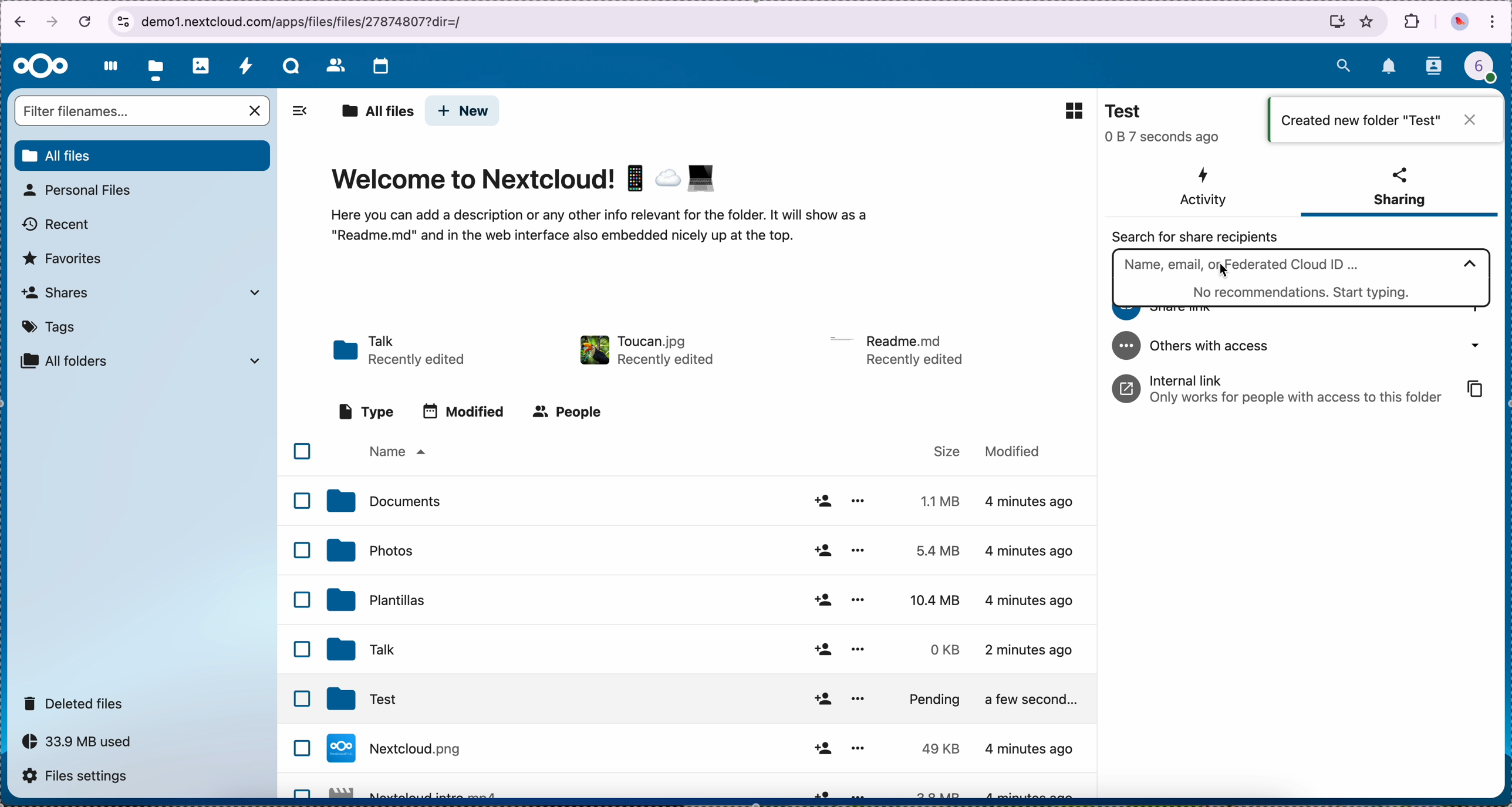  What do you see at coordinates (87, 21) in the screenshot?
I see `cancel` at bounding box center [87, 21].